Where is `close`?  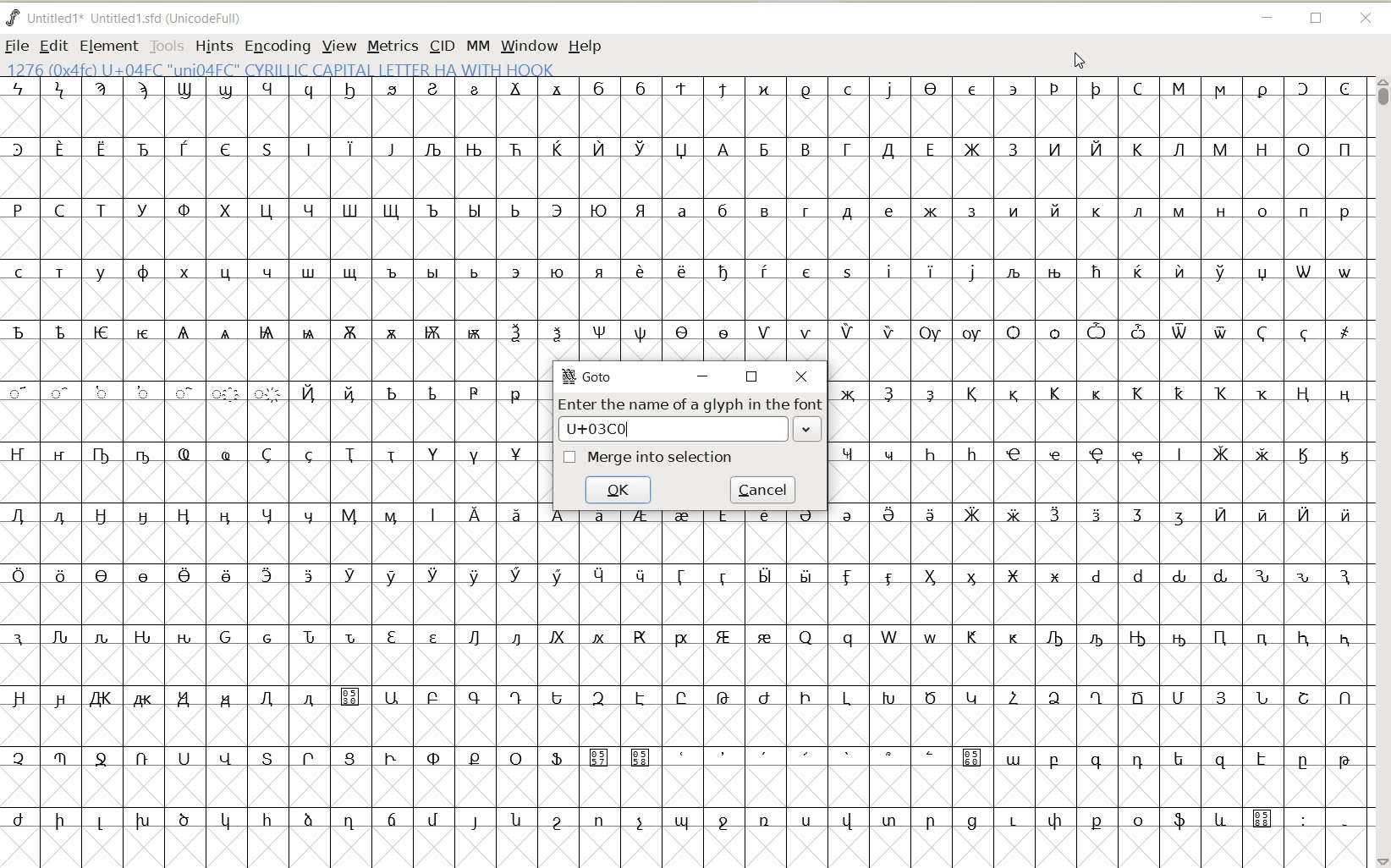 close is located at coordinates (805, 377).